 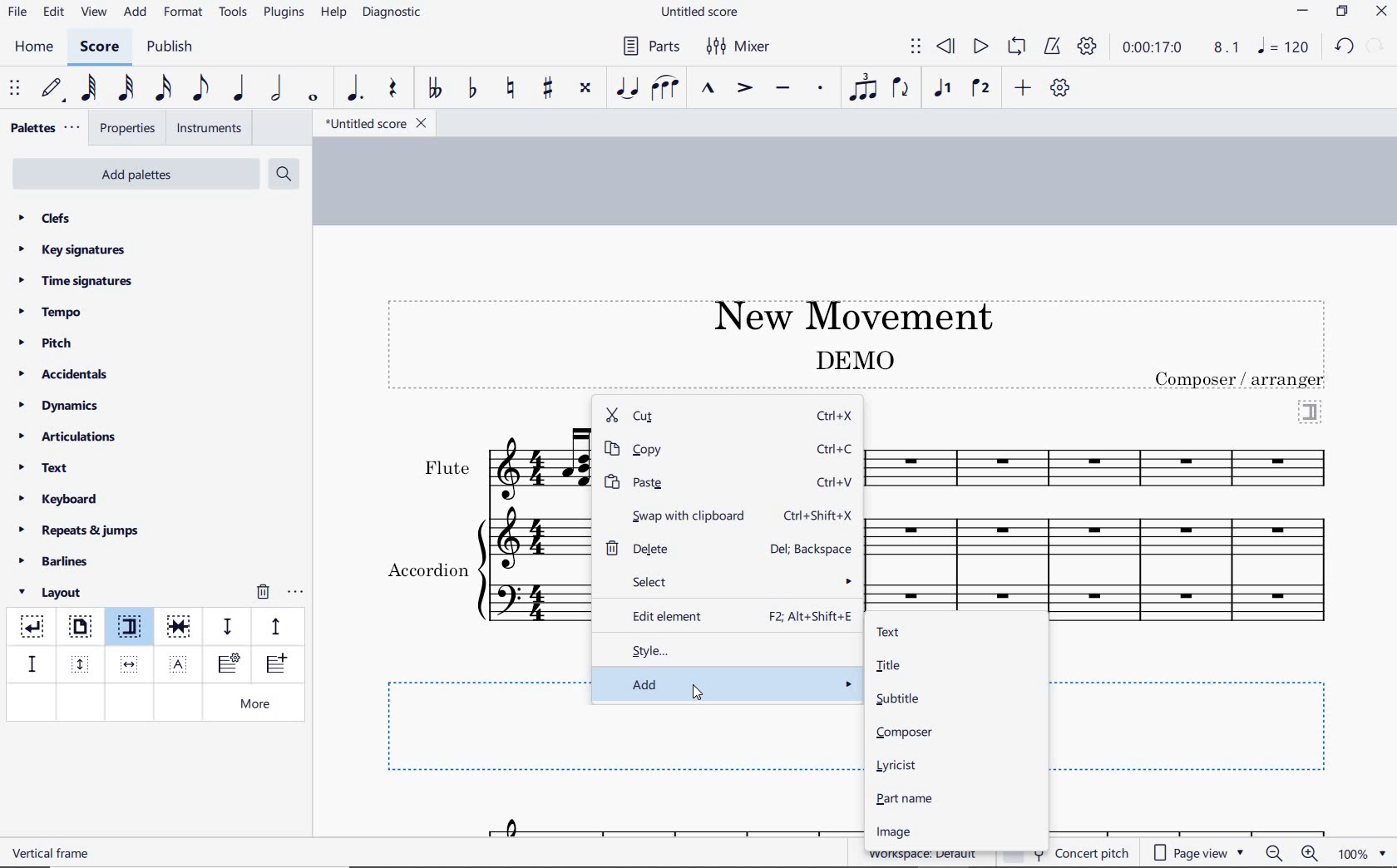 I want to click on insert horizontal, so click(x=130, y=664).